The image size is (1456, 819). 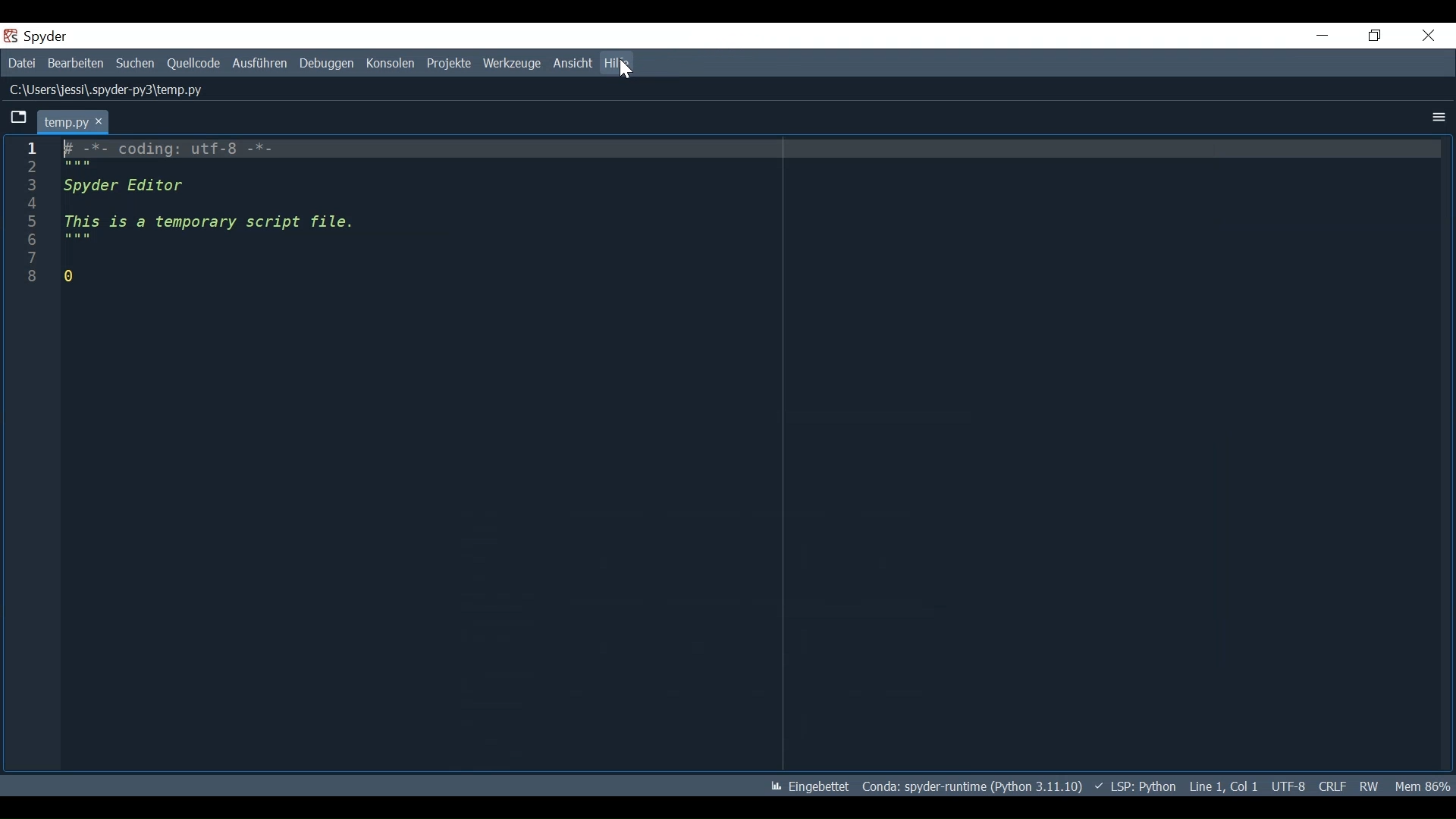 What do you see at coordinates (72, 121) in the screenshot?
I see `temp.py` at bounding box center [72, 121].